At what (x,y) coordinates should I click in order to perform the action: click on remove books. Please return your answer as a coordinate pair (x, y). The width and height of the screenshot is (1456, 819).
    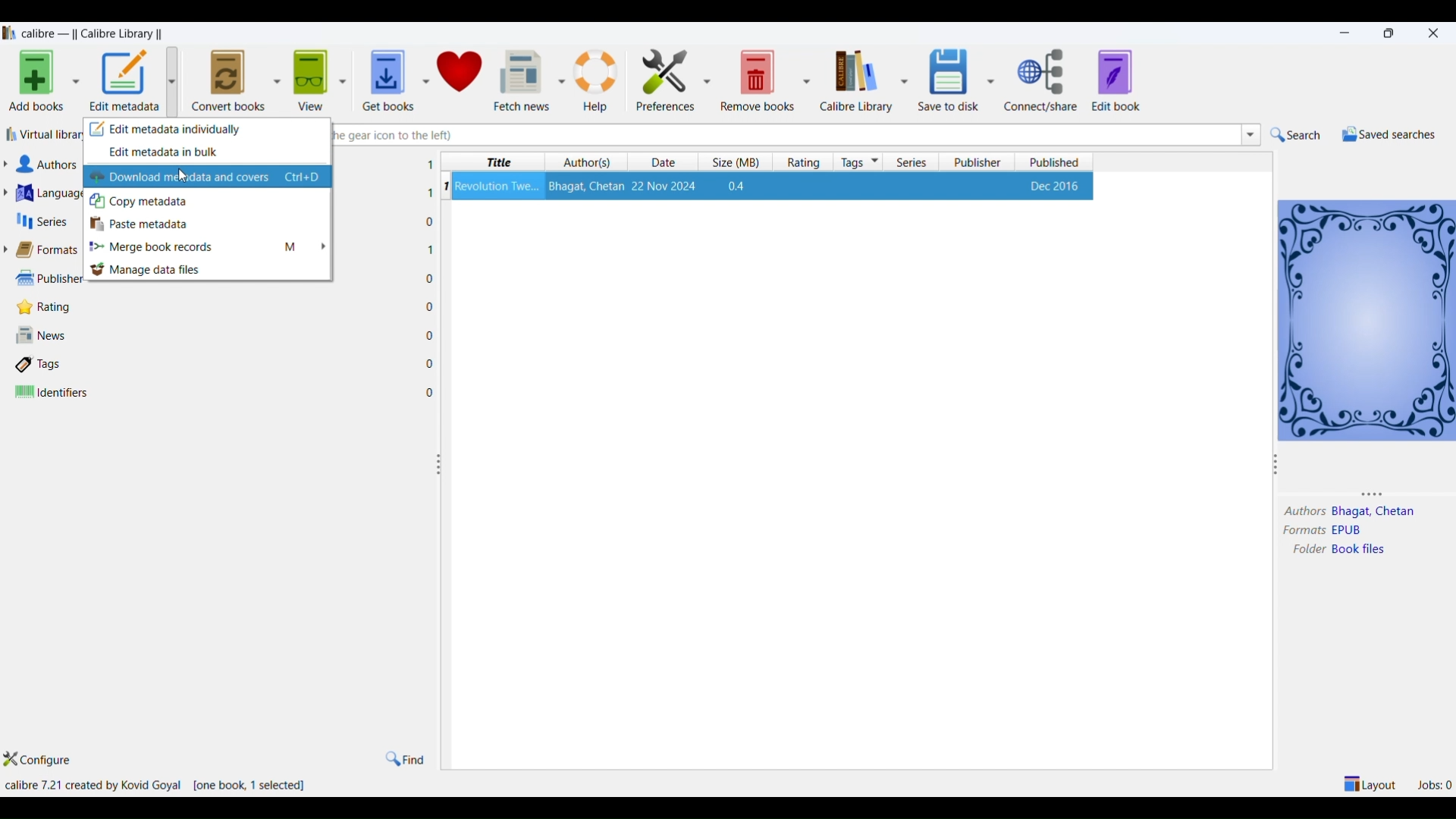
    Looking at the image, I should click on (758, 79).